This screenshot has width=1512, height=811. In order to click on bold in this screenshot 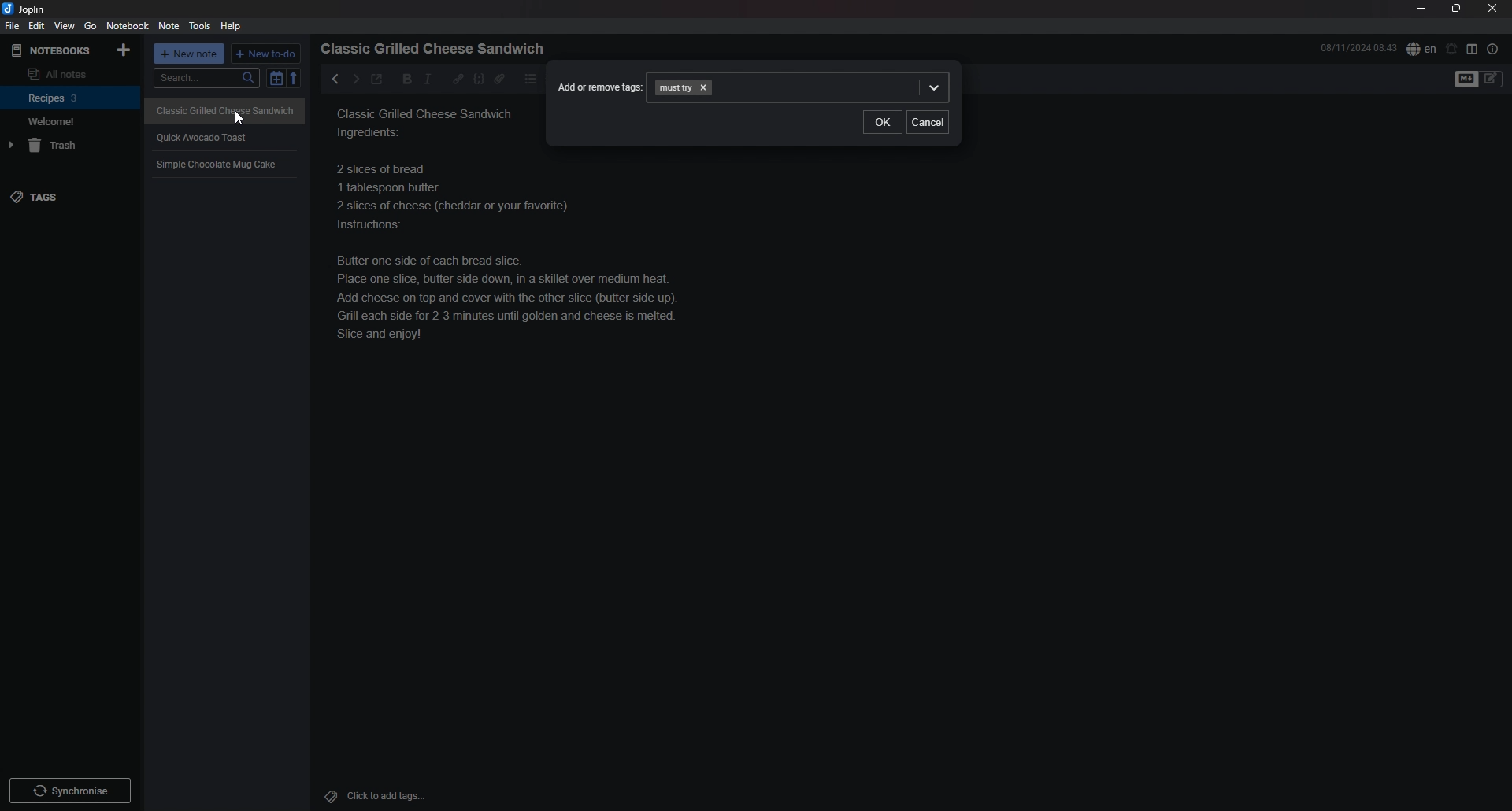, I will do `click(402, 80)`.